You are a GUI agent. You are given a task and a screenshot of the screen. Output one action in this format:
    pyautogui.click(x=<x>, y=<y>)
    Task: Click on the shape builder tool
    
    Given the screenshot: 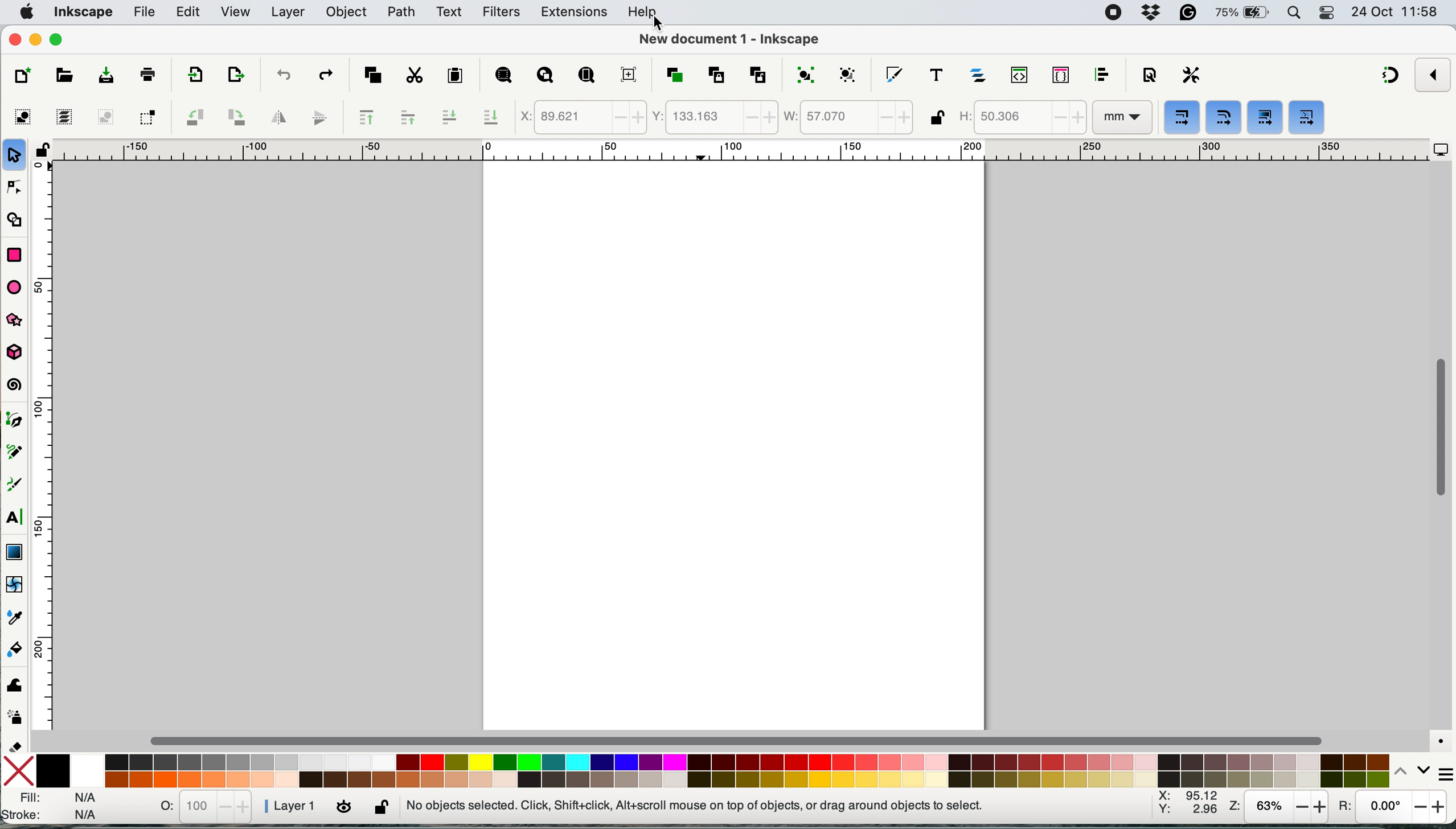 What is the action you would take?
    pyautogui.click(x=17, y=221)
    